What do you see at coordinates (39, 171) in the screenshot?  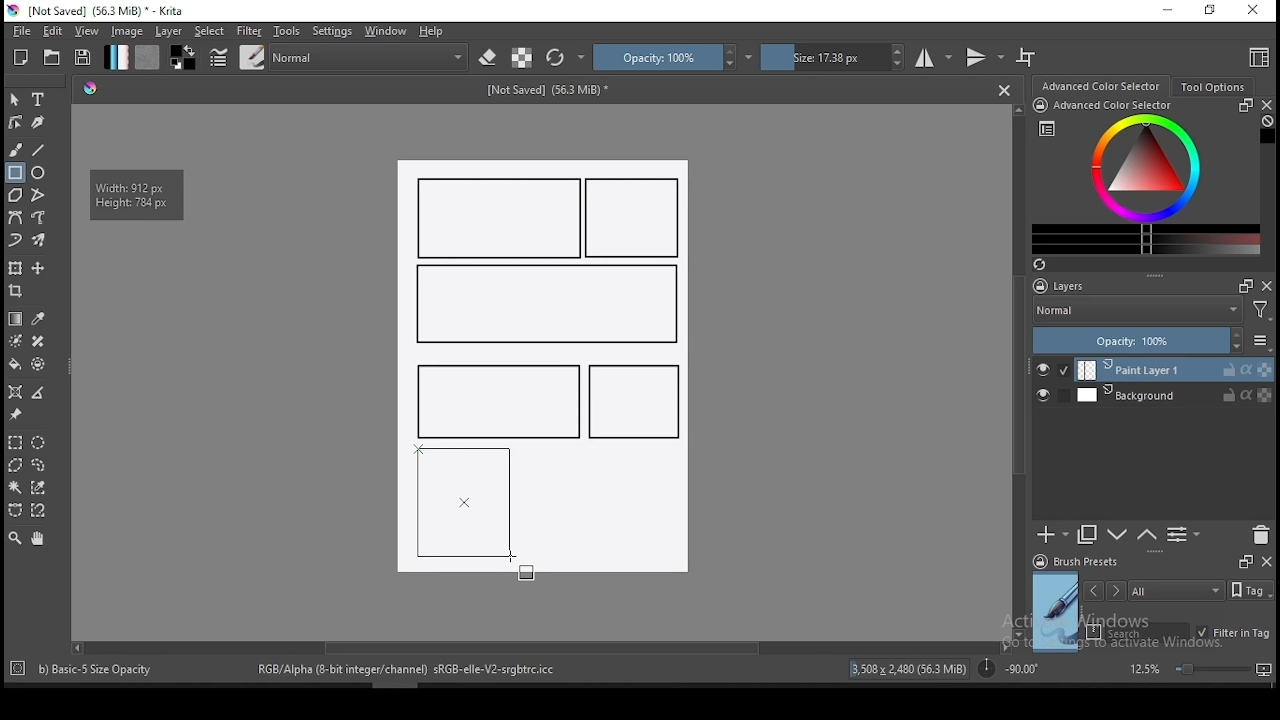 I see `ellipse tool` at bounding box center [39, 171].